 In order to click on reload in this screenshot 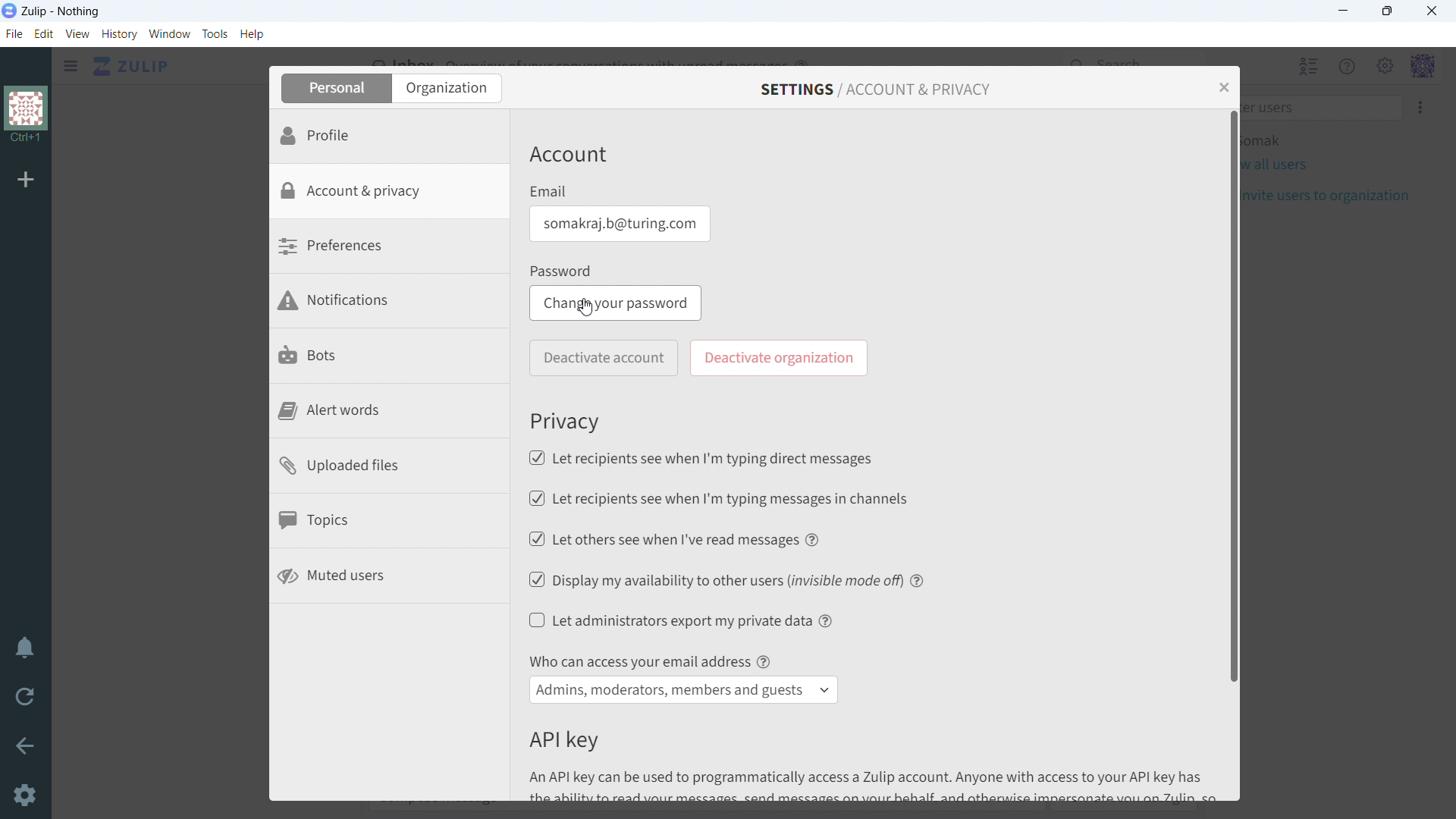, I will do `click(24, 695)`.